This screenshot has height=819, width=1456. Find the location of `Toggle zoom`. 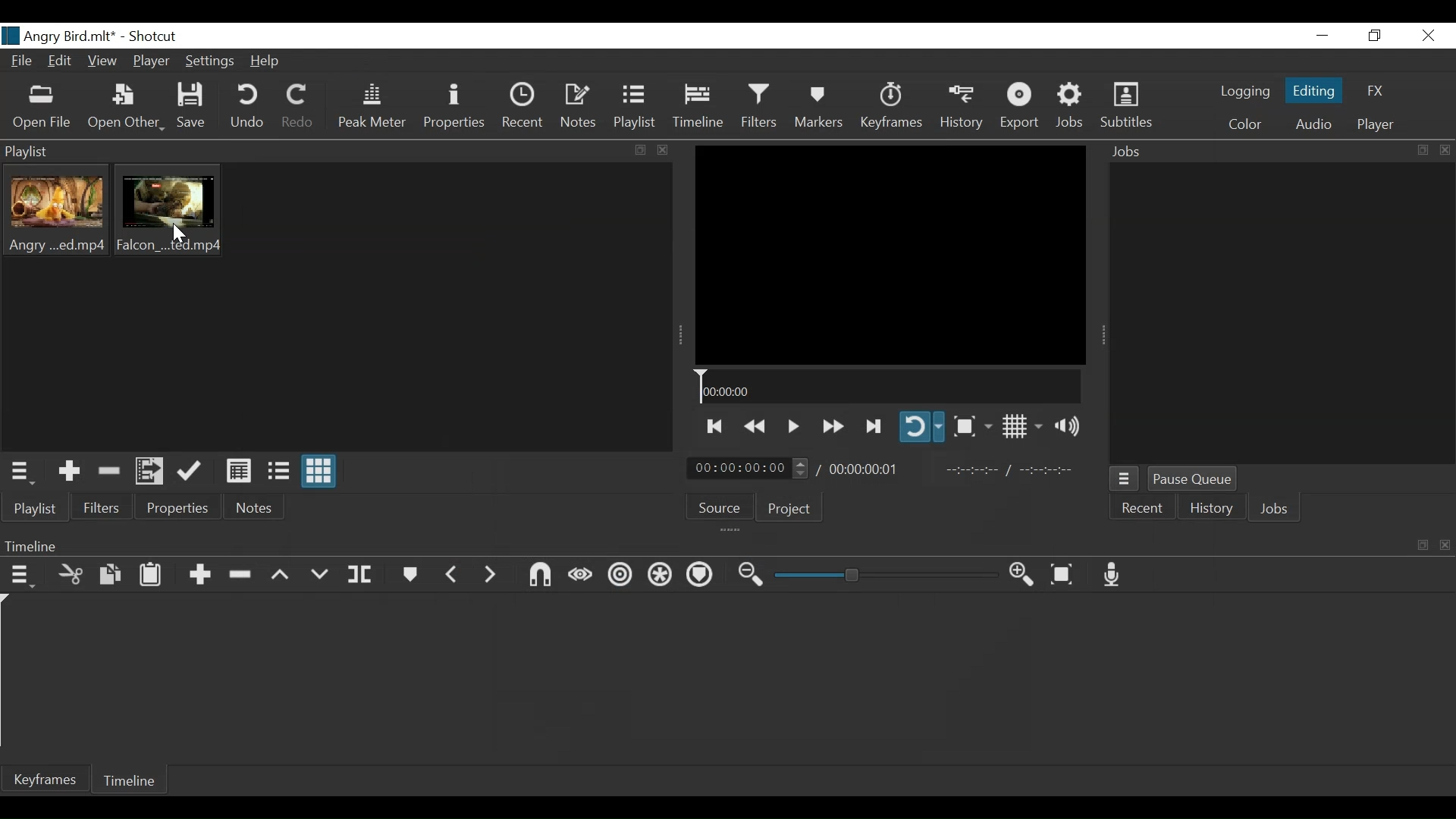

Toggle zoom is located at coordinates (972, 426).